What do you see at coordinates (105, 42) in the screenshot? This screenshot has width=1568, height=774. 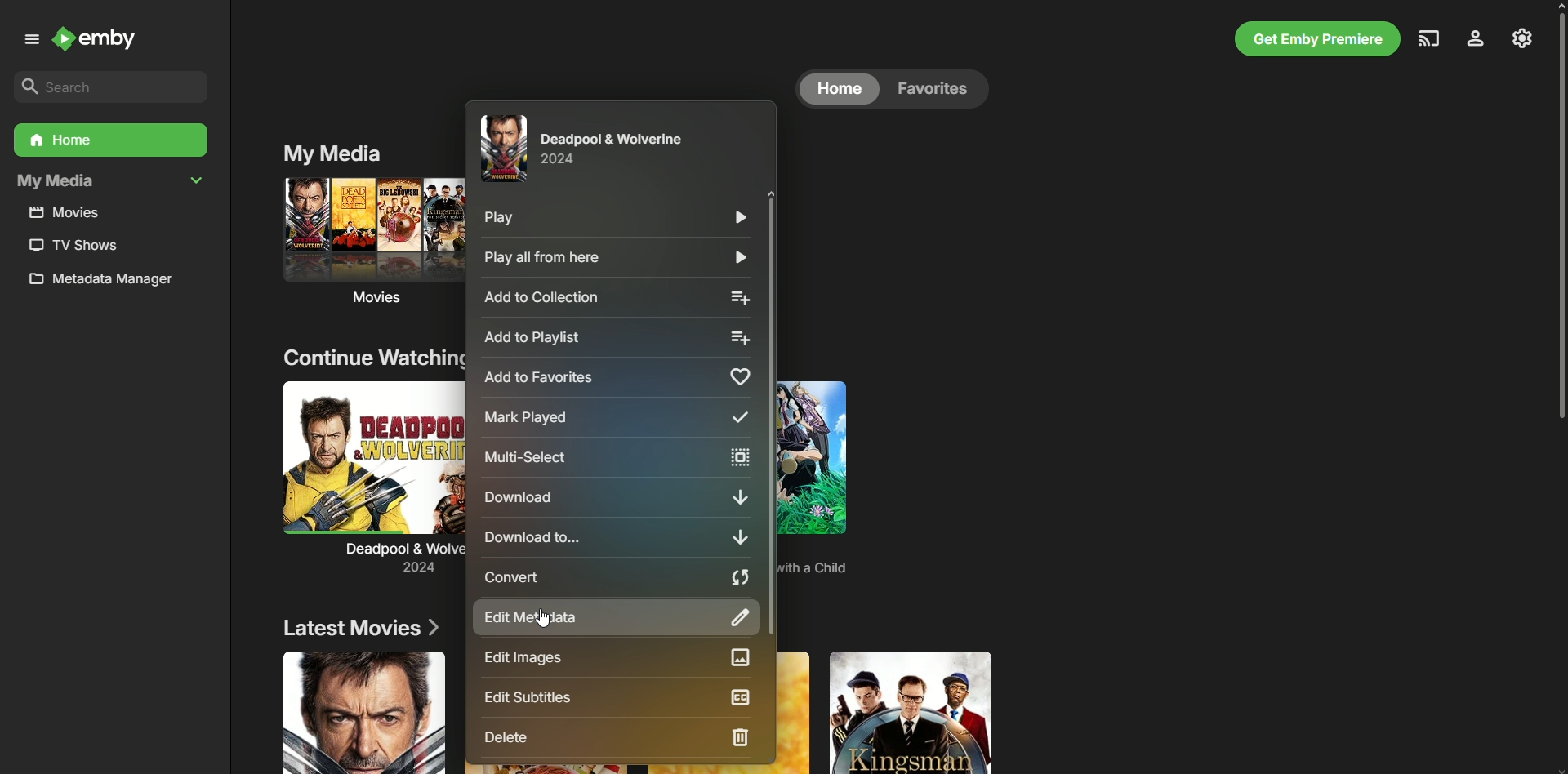 I see `Emby` at bounding box center [105, 42].